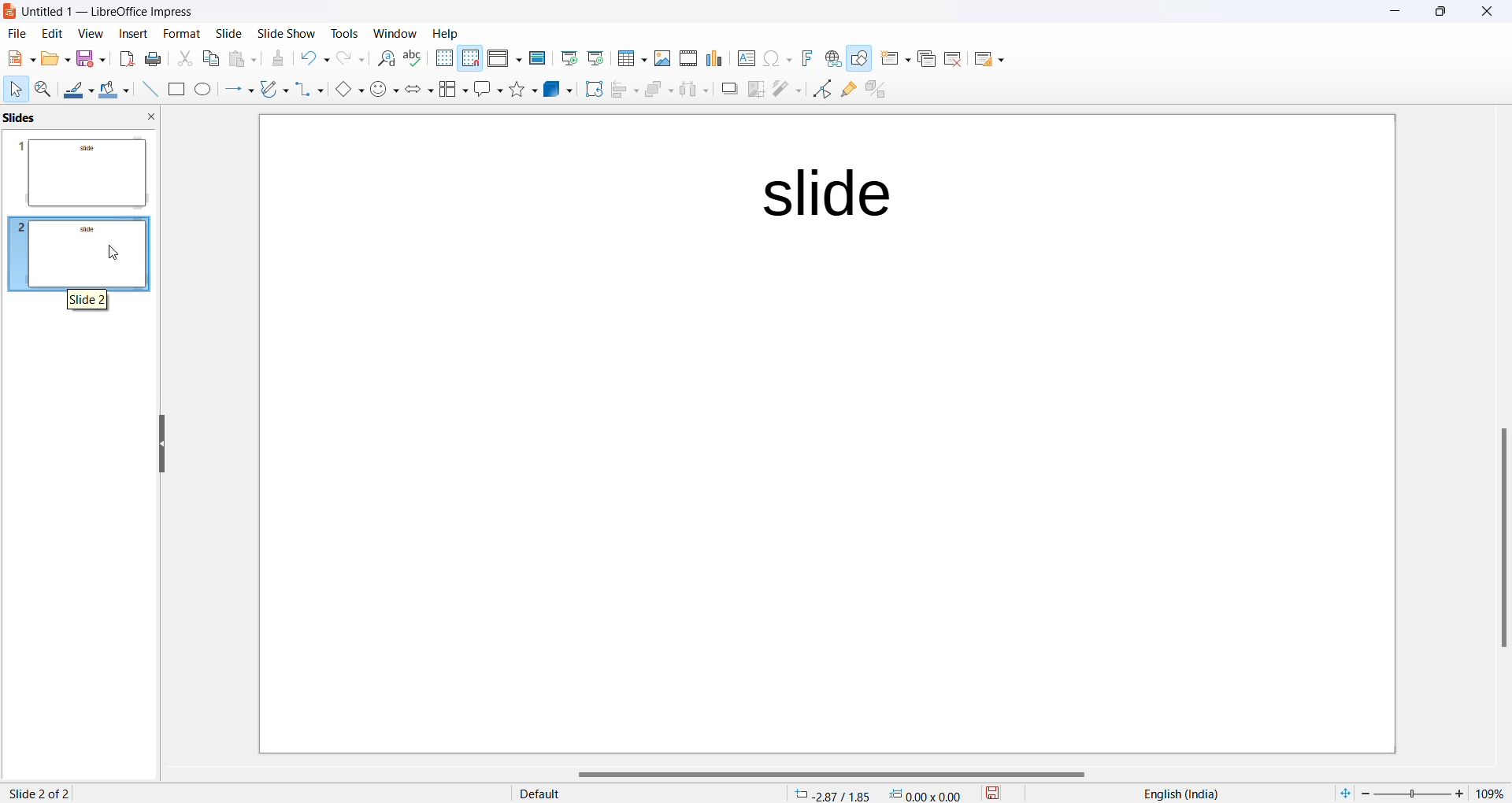  Describe the element at coordinates (342, 31) in the screenshot. I see `Tools` at that location.